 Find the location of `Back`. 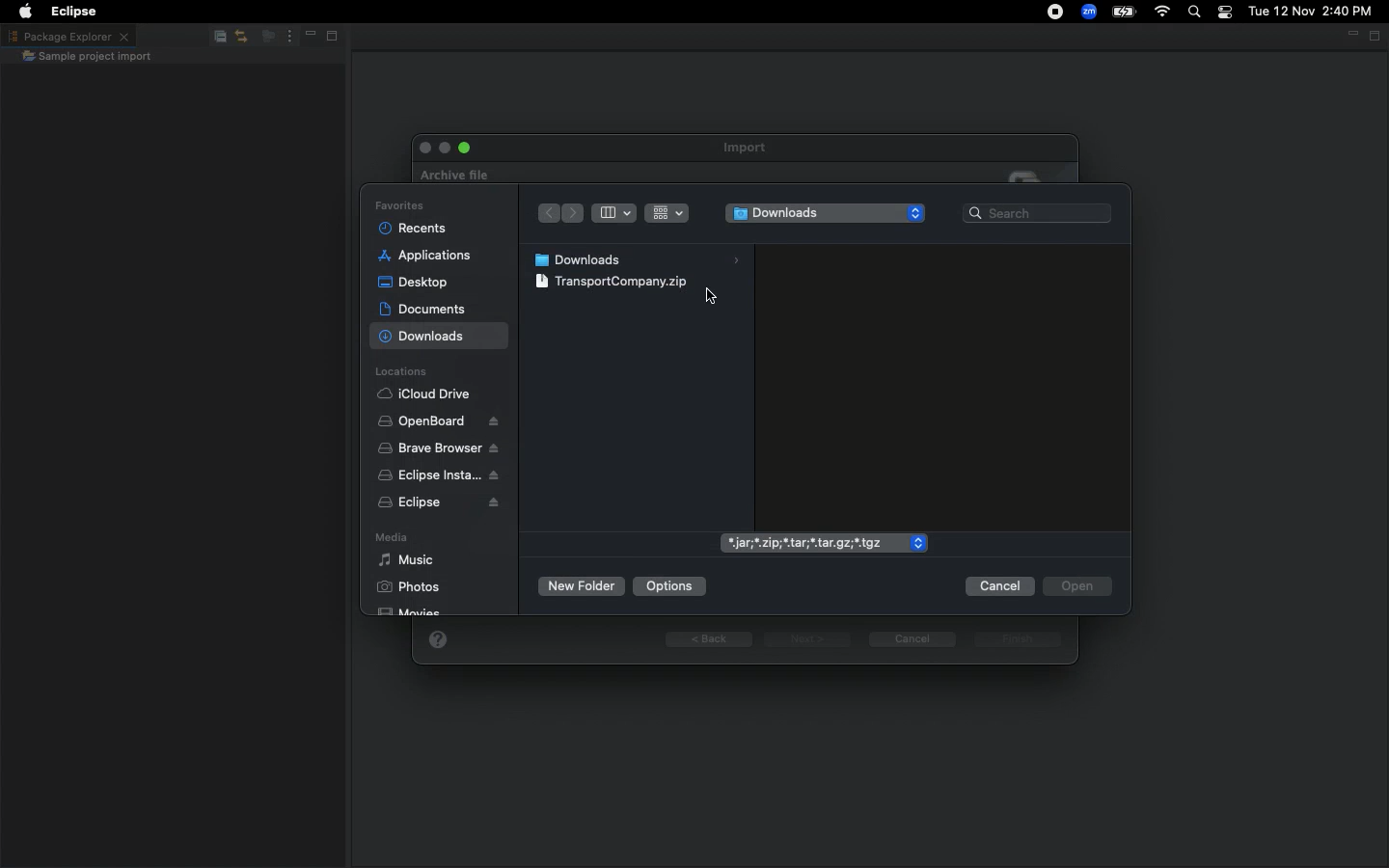

Back is located at coordinates (545, 214).